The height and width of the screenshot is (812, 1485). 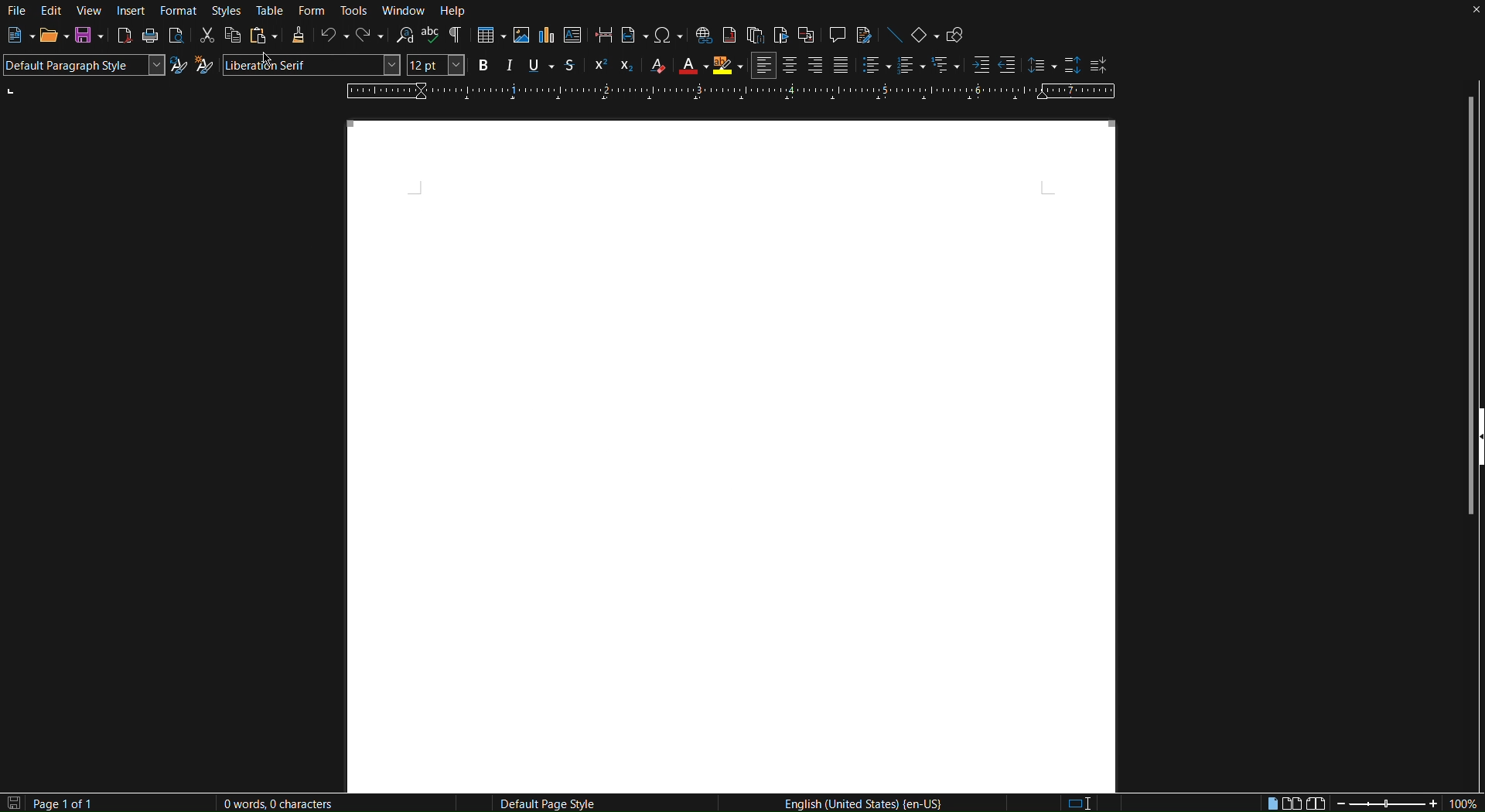 I want to click on Default Paragraph Style, so click(x=80, y=65).